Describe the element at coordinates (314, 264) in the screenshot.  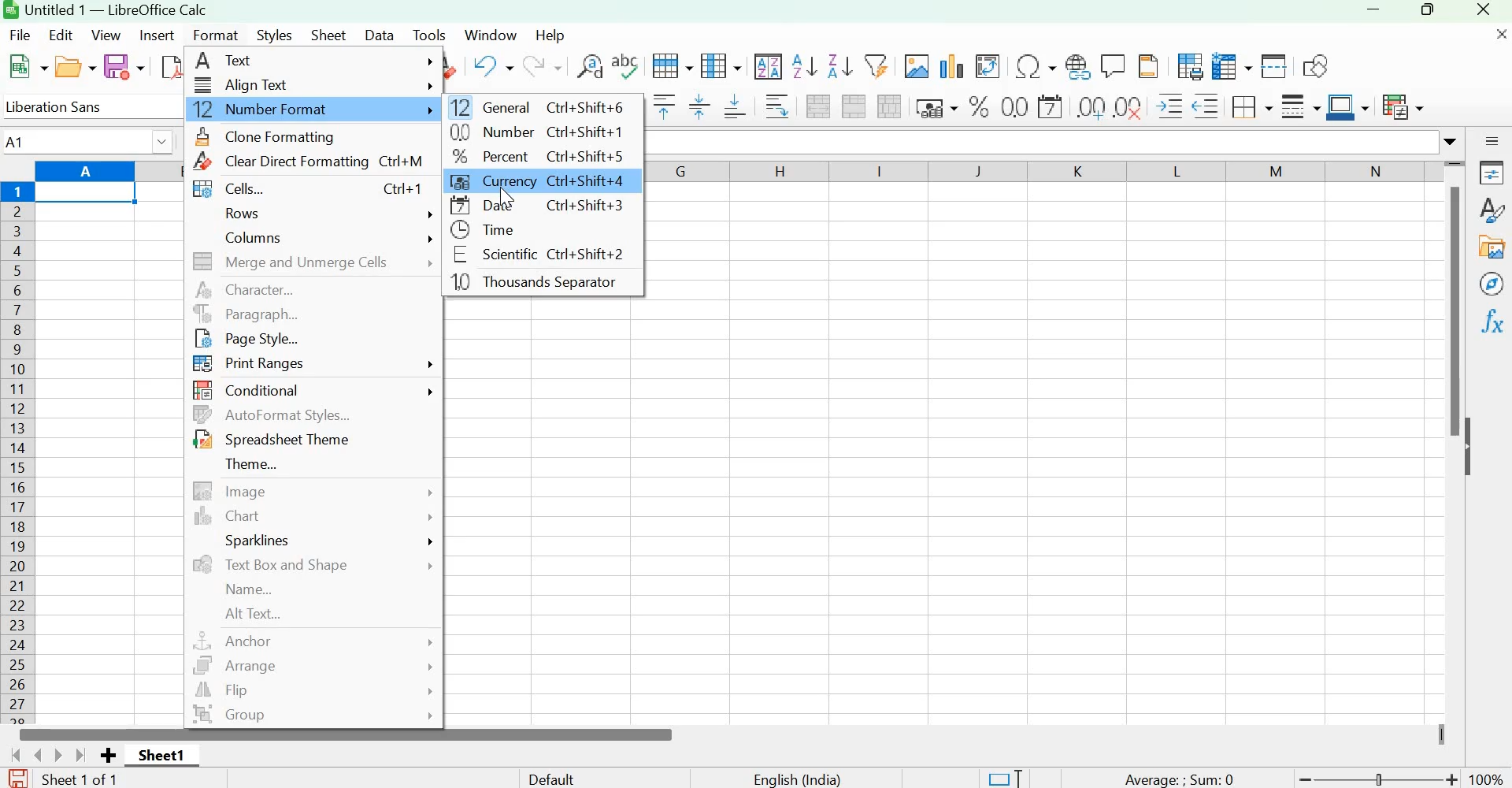
I see `Merge and unmerge cells` at that location.